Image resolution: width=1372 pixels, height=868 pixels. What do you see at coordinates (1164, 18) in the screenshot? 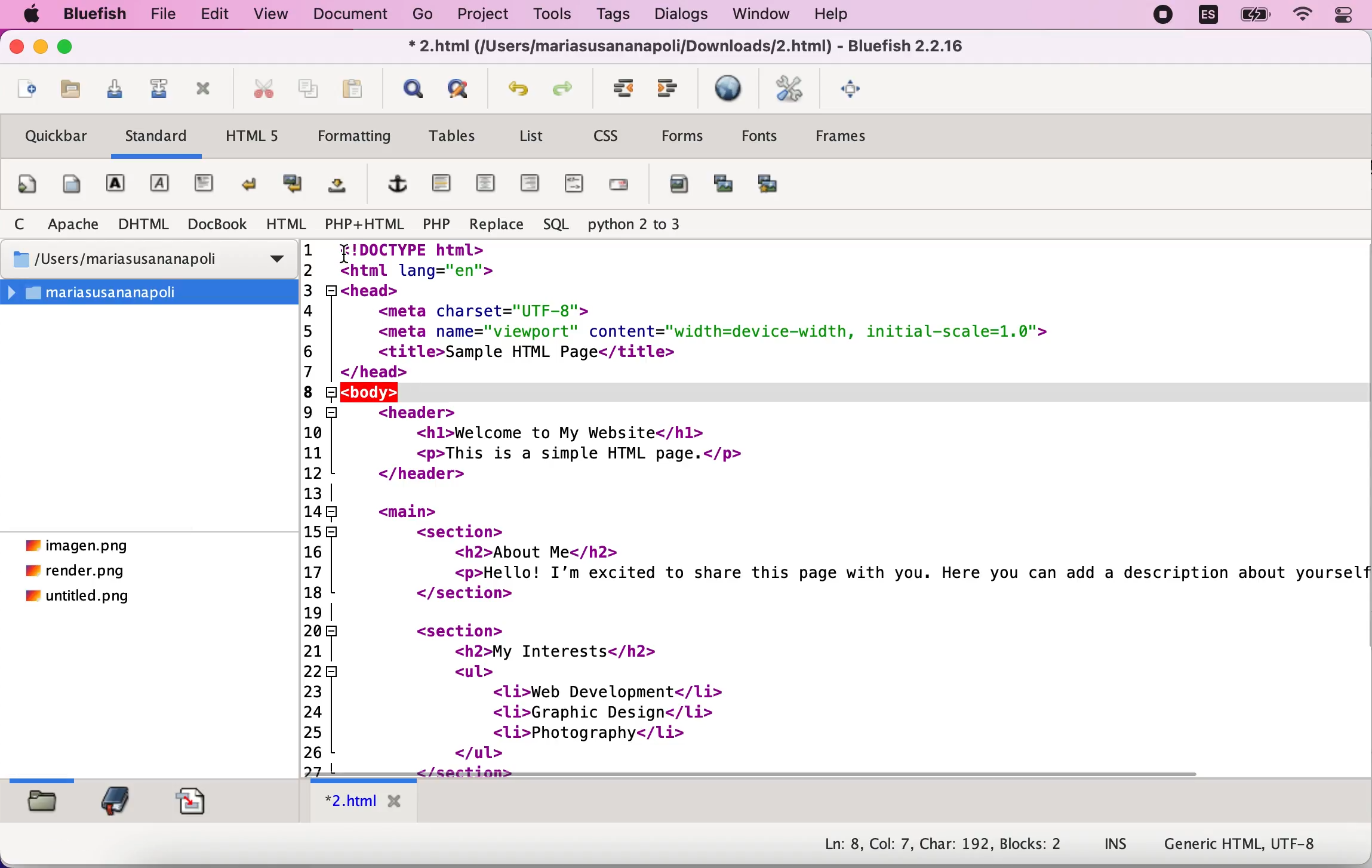
I see `recording` at bounding box center [1164, 18].